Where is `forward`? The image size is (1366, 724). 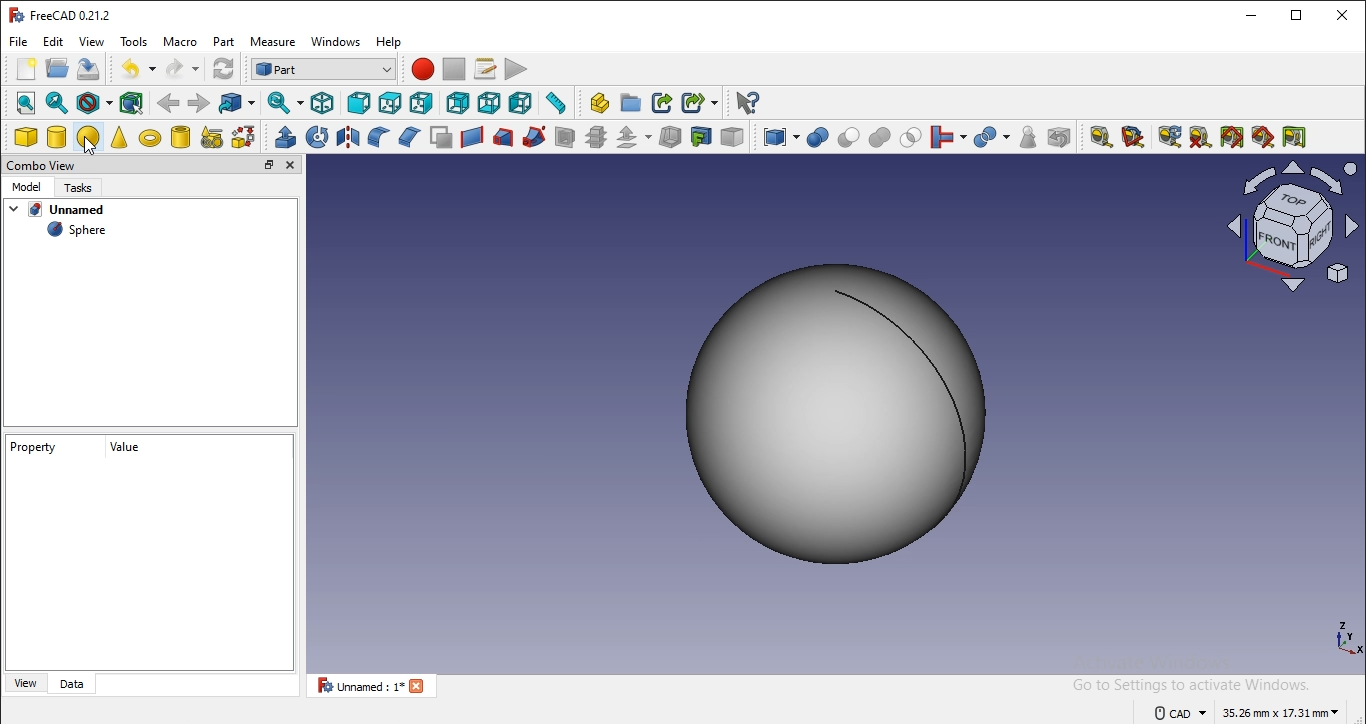
forward is located at coordinates (199, 101).